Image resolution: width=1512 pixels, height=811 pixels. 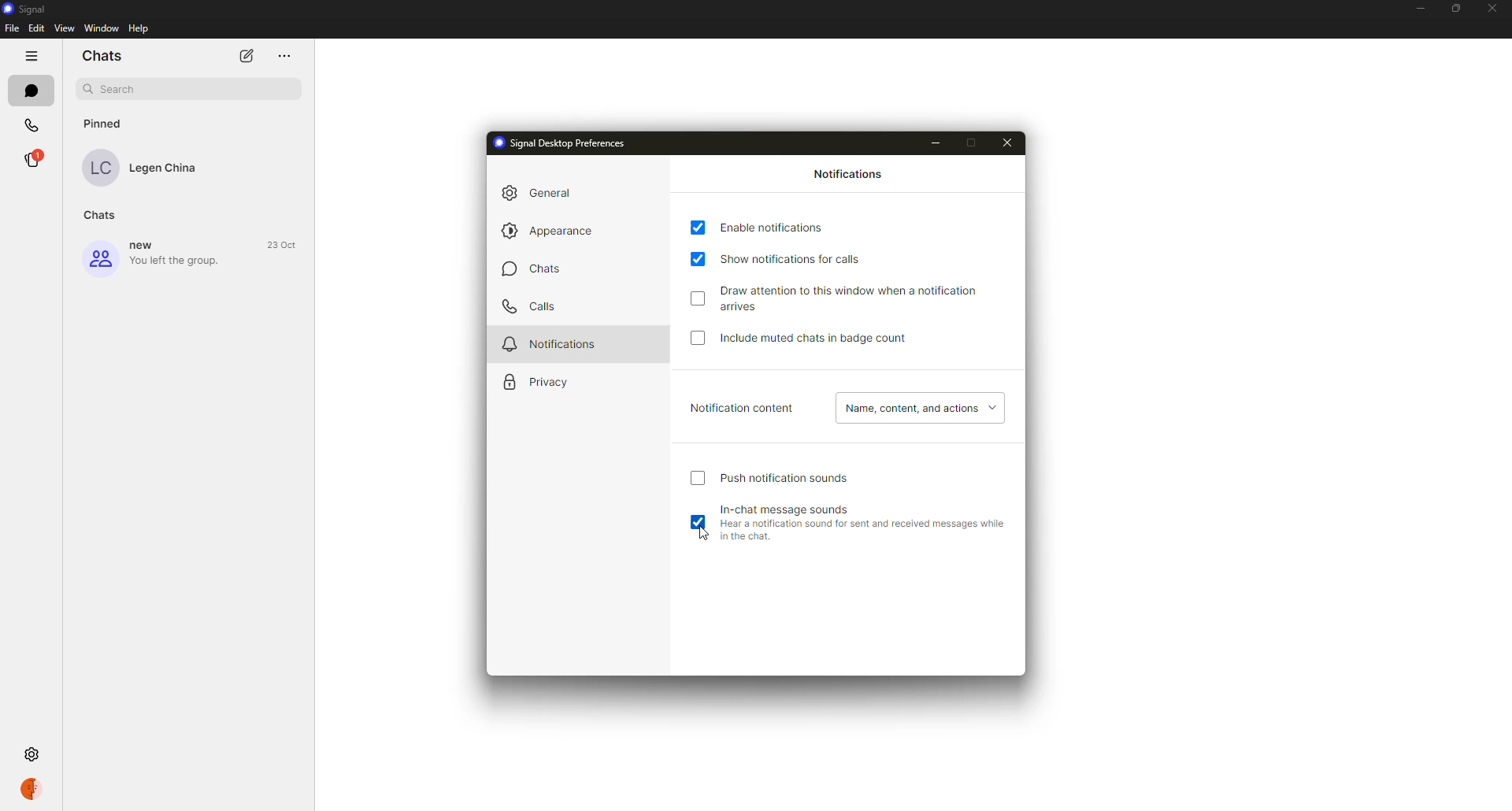 I want to click on tap to select, so click(x=697, y=260).